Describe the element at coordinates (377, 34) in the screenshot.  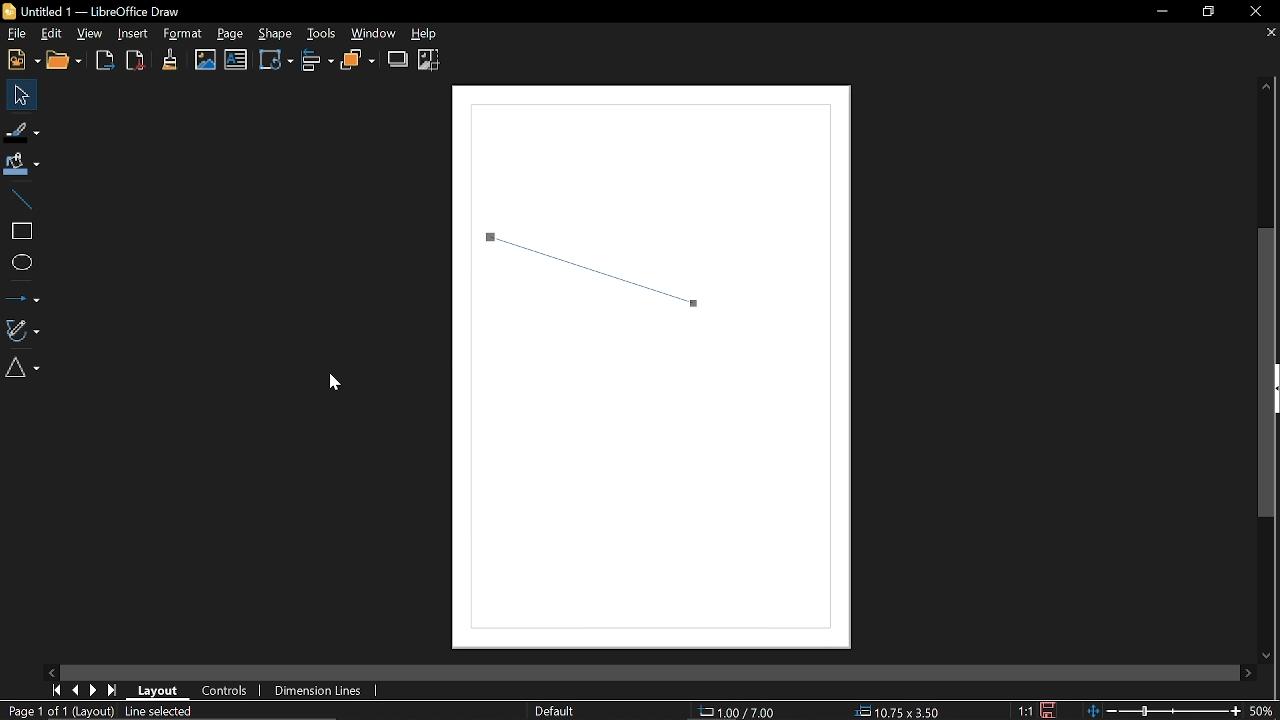
I see `Window` at that location.